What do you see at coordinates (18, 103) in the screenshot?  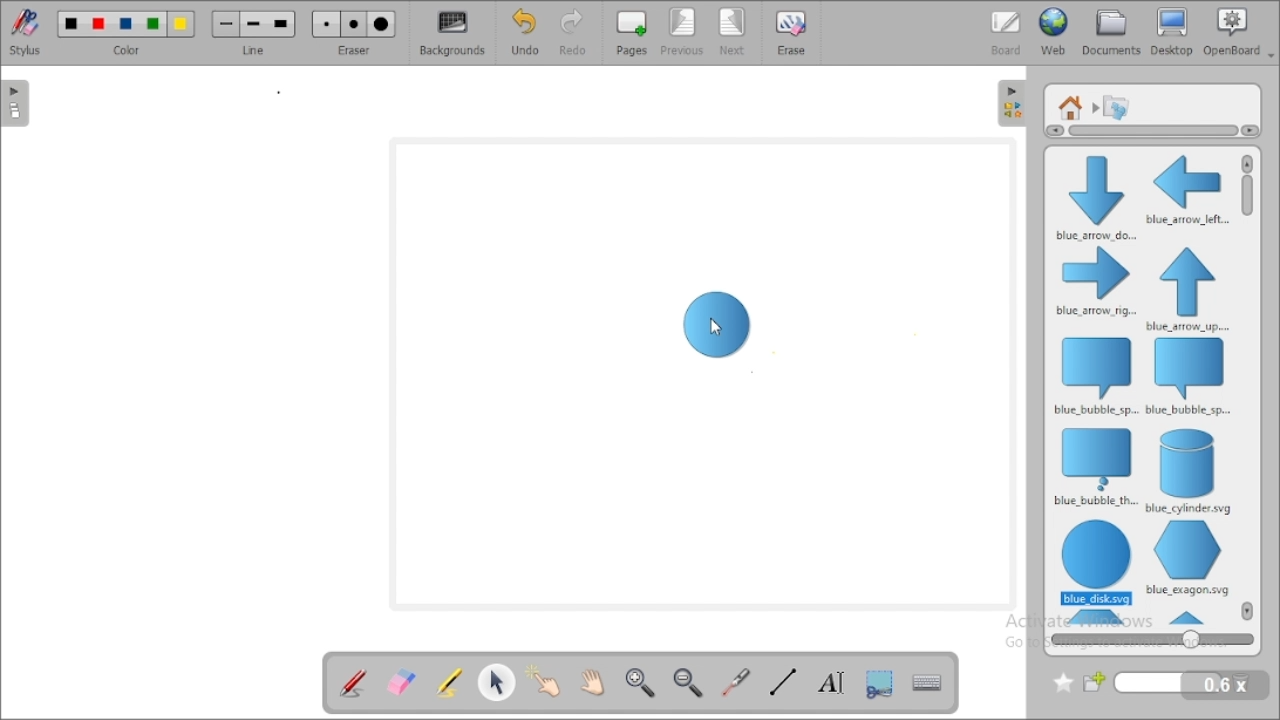 I see `pages pane` at bounding box center [18, 103].